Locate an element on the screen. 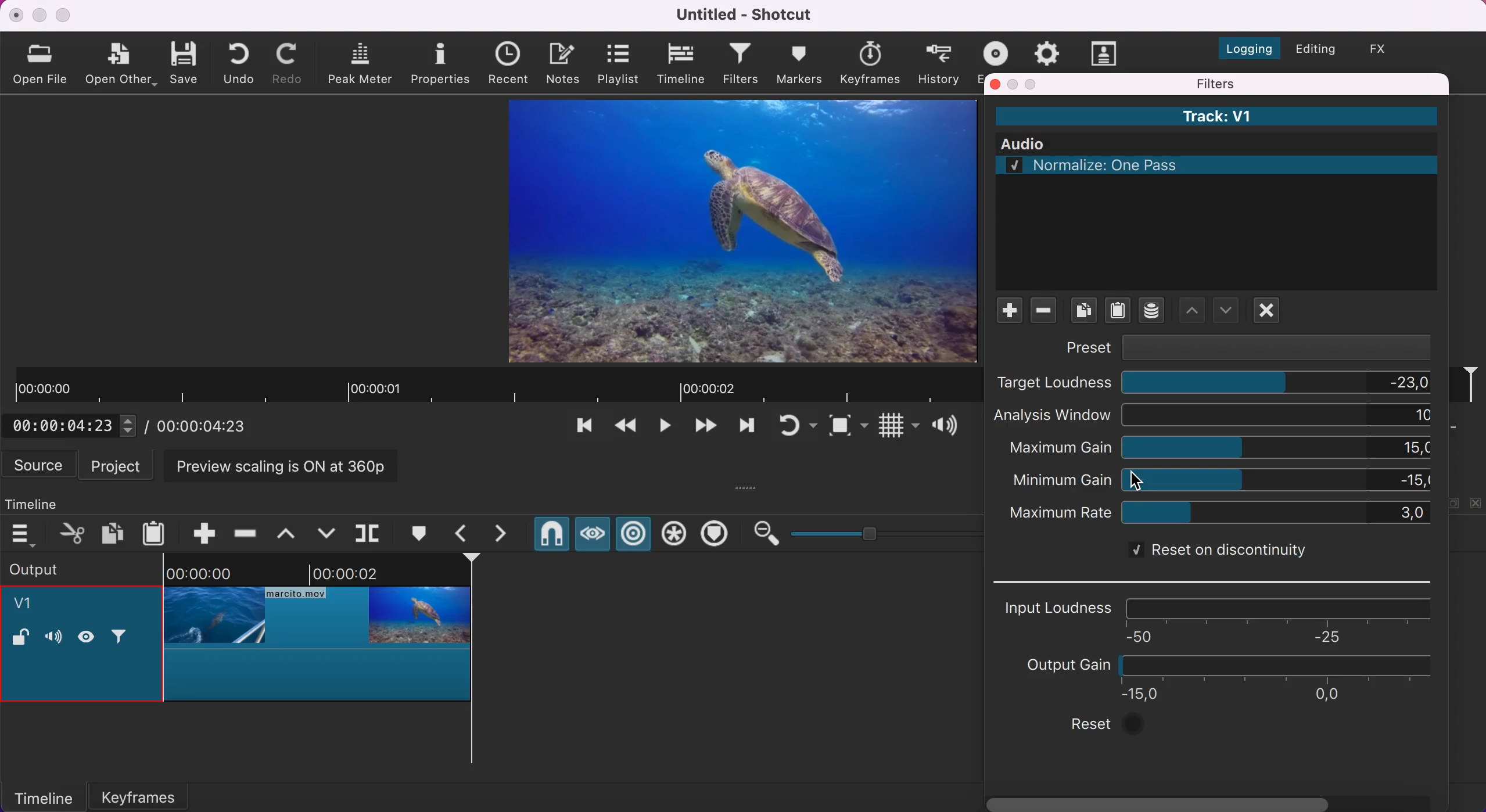  snap is located at coordinates (551, 536).